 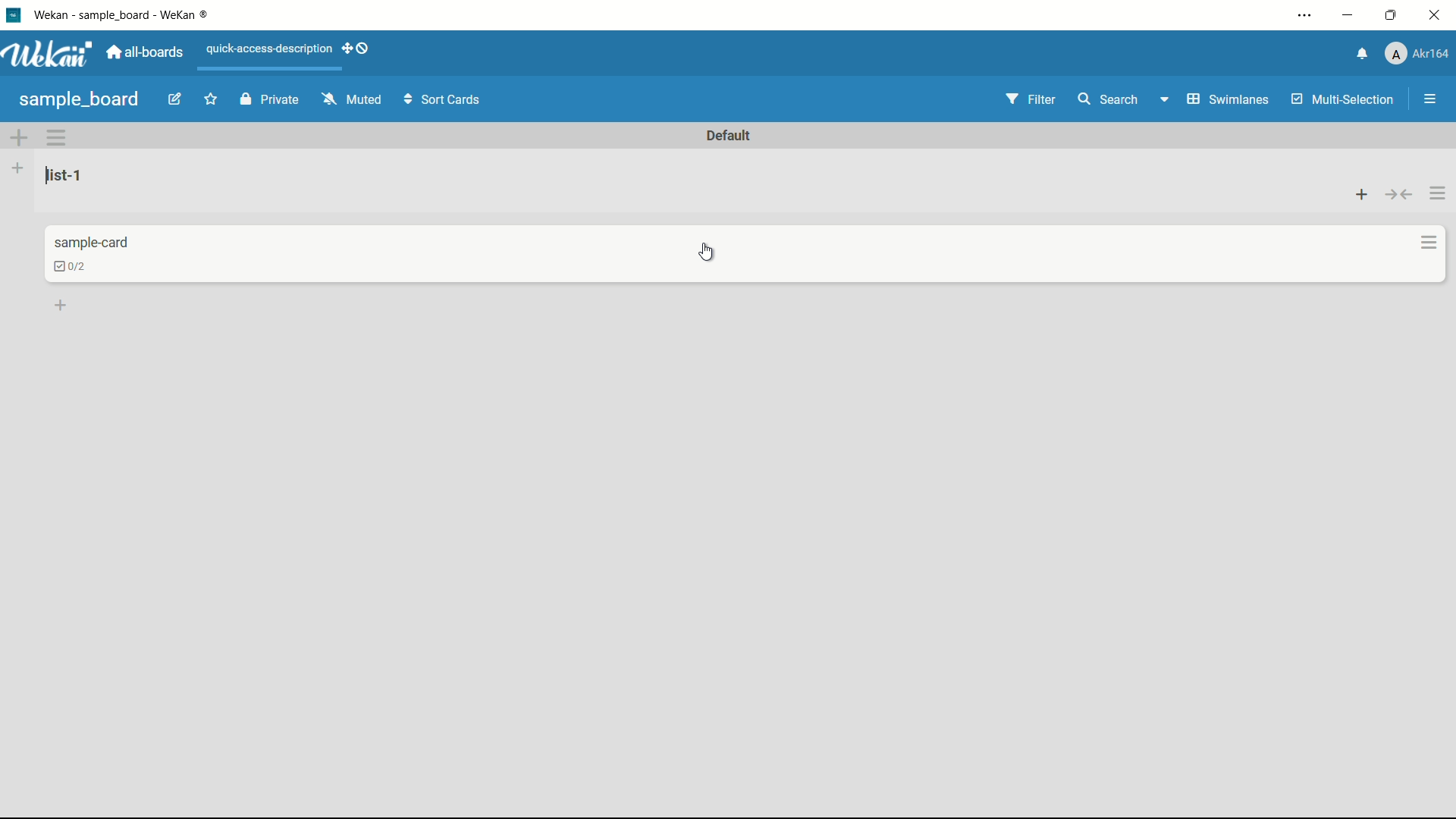 I want to click on card actions, so click(x=1428, y=243).